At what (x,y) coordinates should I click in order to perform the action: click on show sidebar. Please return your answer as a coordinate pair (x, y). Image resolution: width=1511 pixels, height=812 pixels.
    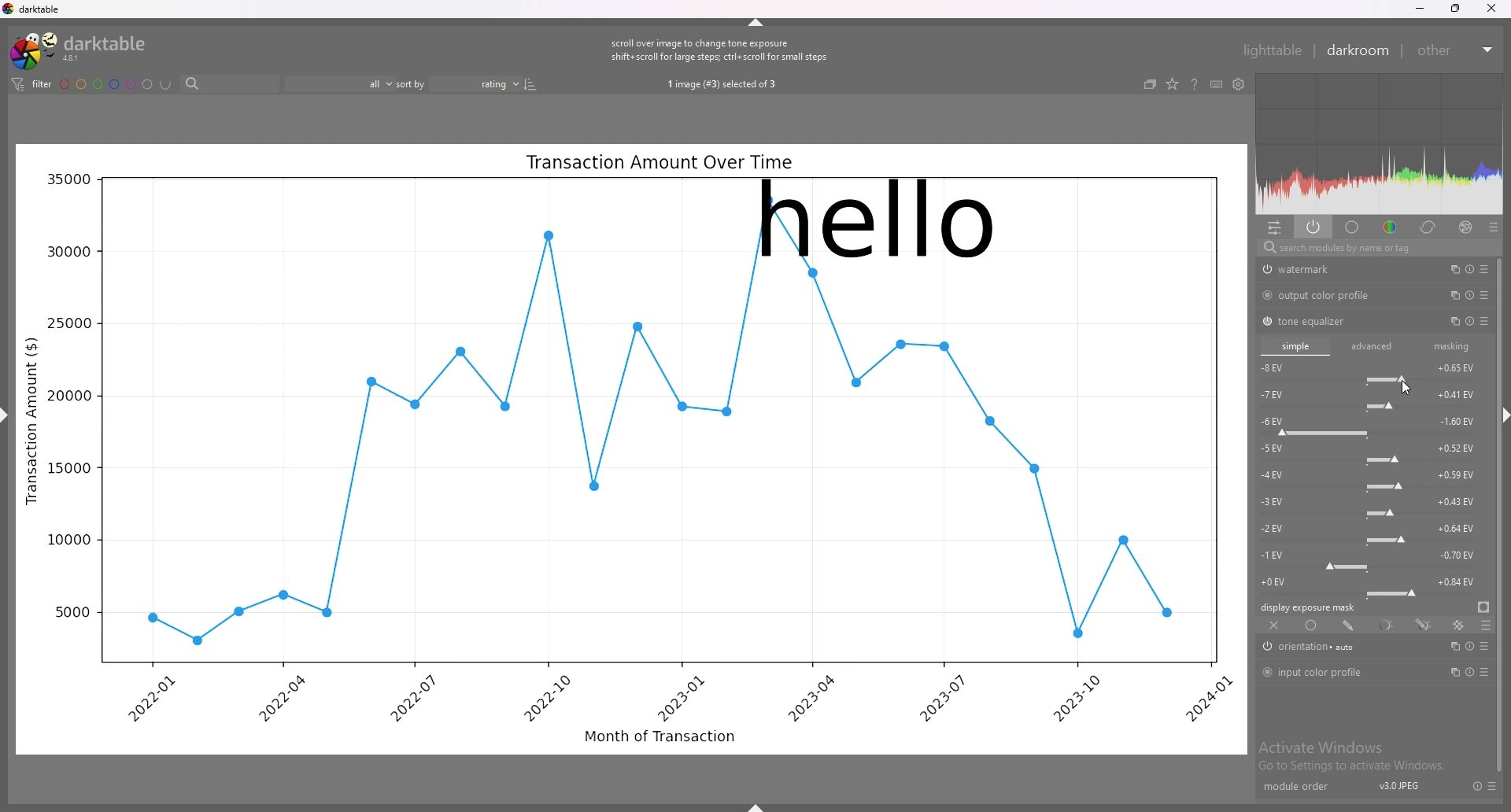
    Looking at the image, I should click on (758, 806).